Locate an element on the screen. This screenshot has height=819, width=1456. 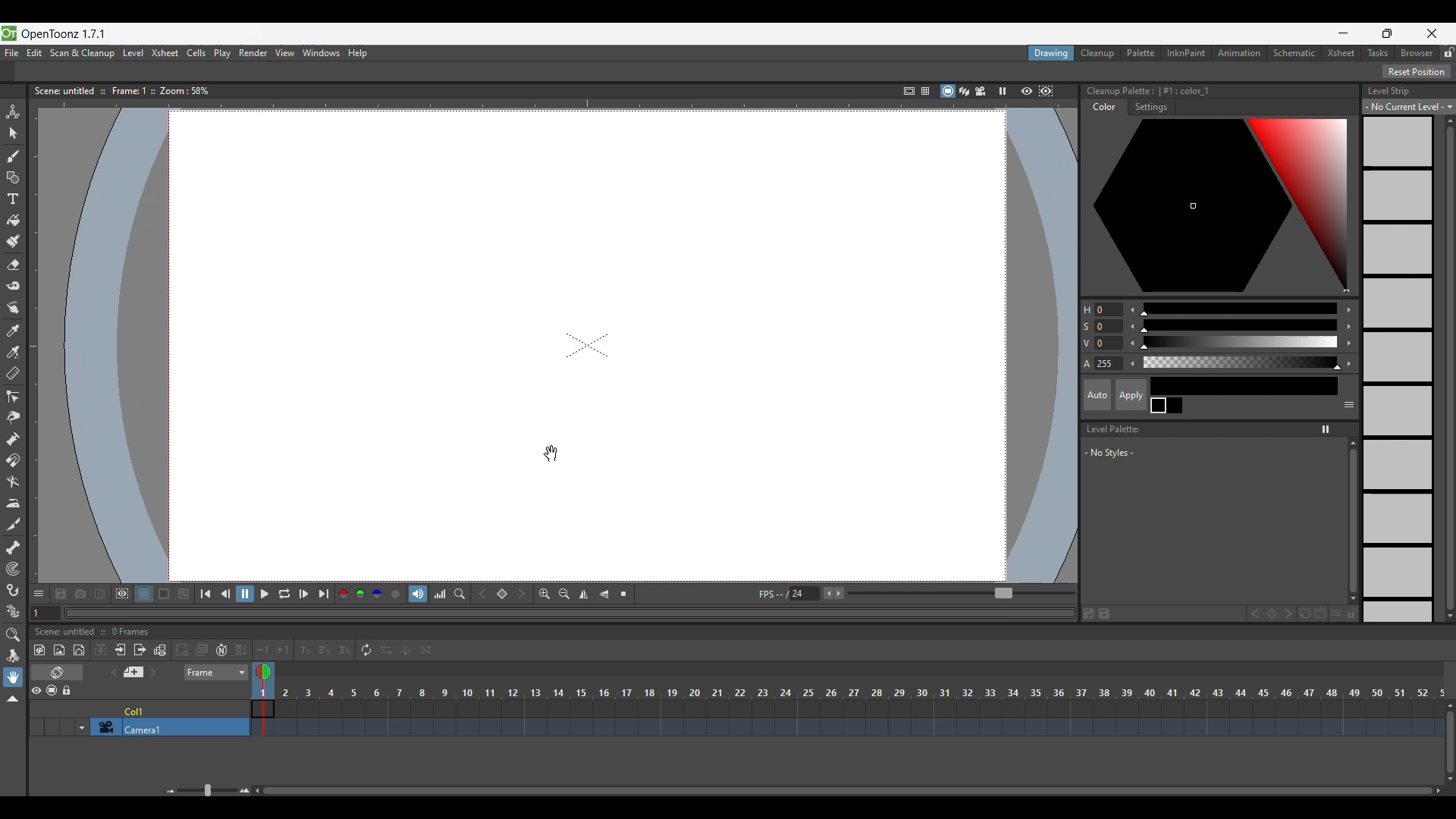
Flip vertically is located at coordinates (604, 594).